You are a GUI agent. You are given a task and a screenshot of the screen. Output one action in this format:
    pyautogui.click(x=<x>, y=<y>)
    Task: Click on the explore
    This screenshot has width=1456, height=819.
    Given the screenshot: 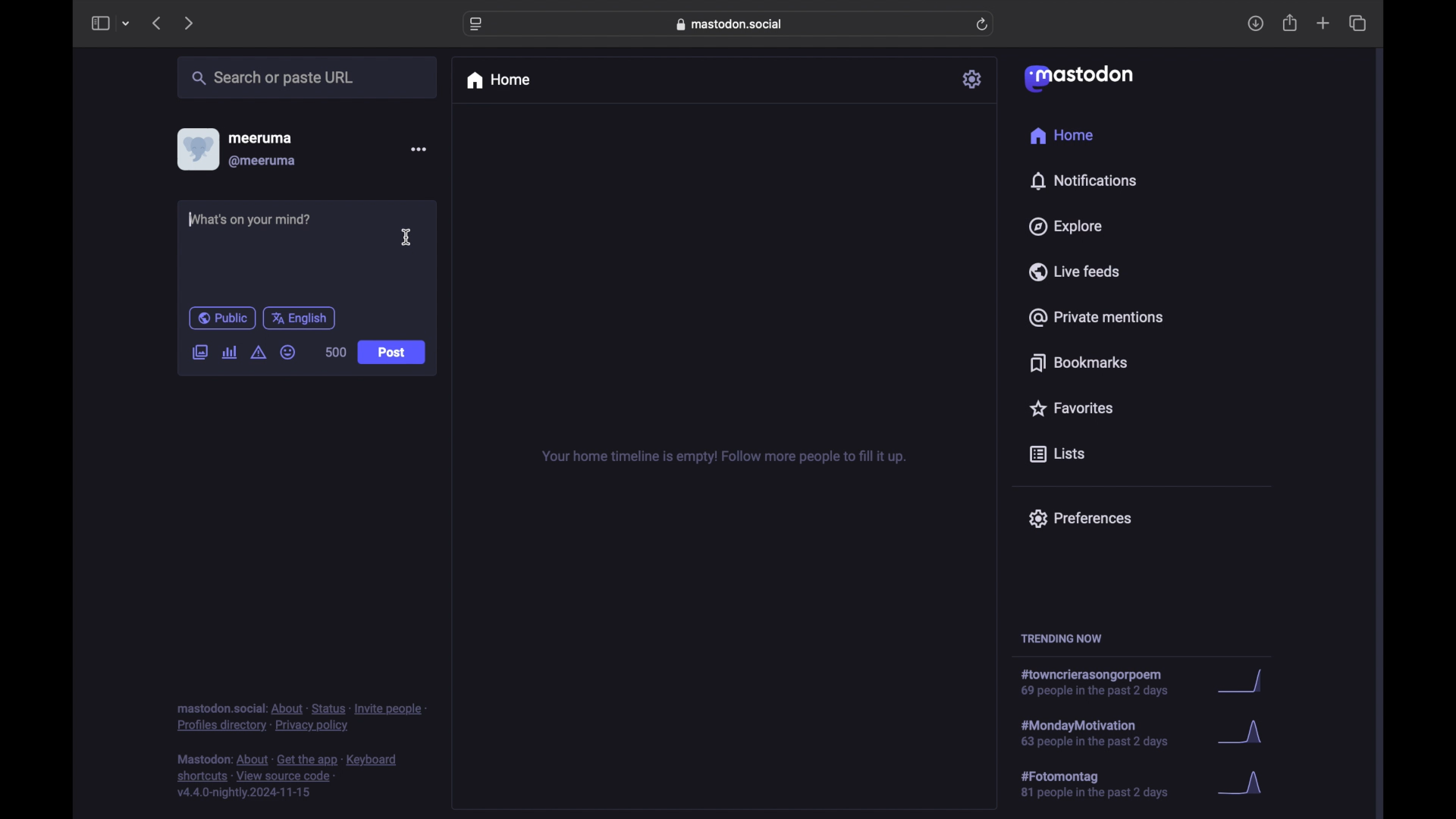 What is the action you would take?
    pyautogui.click(x=1064, y=227)
    